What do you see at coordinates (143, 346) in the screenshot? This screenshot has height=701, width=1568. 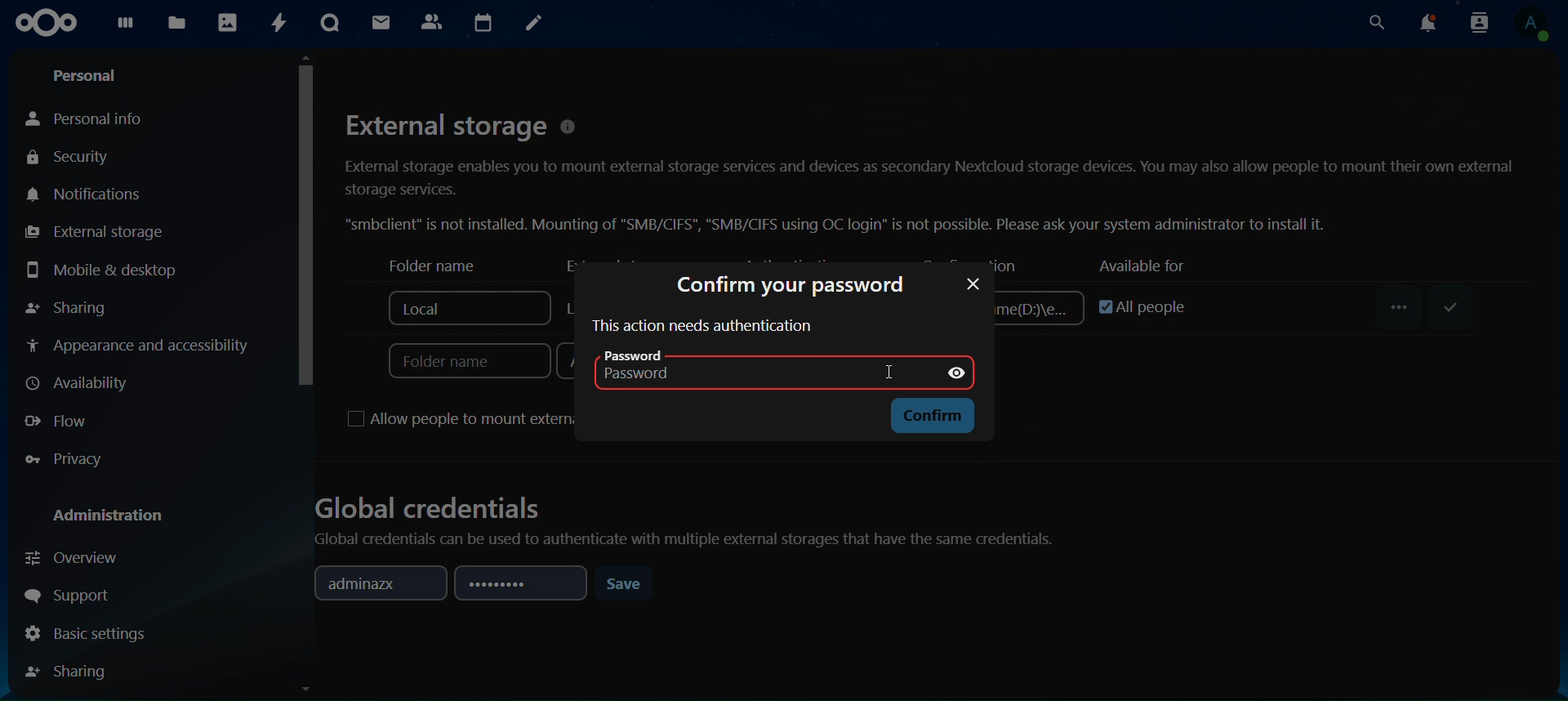 I see `appearance and accessibilty` at bounding box center [143, 346].